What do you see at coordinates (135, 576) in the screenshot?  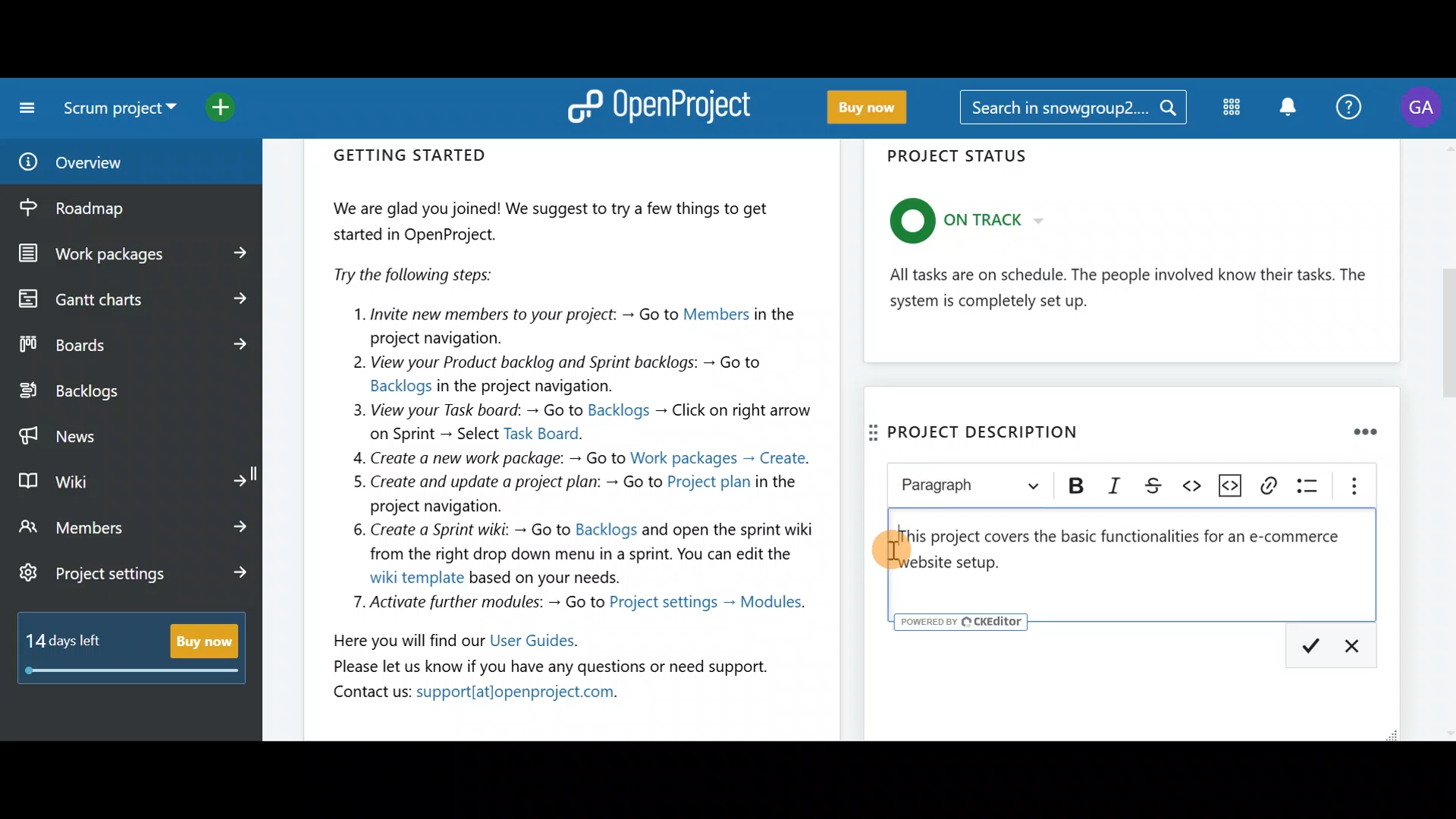 I see `Project settings` at bounding box center [135, 576].